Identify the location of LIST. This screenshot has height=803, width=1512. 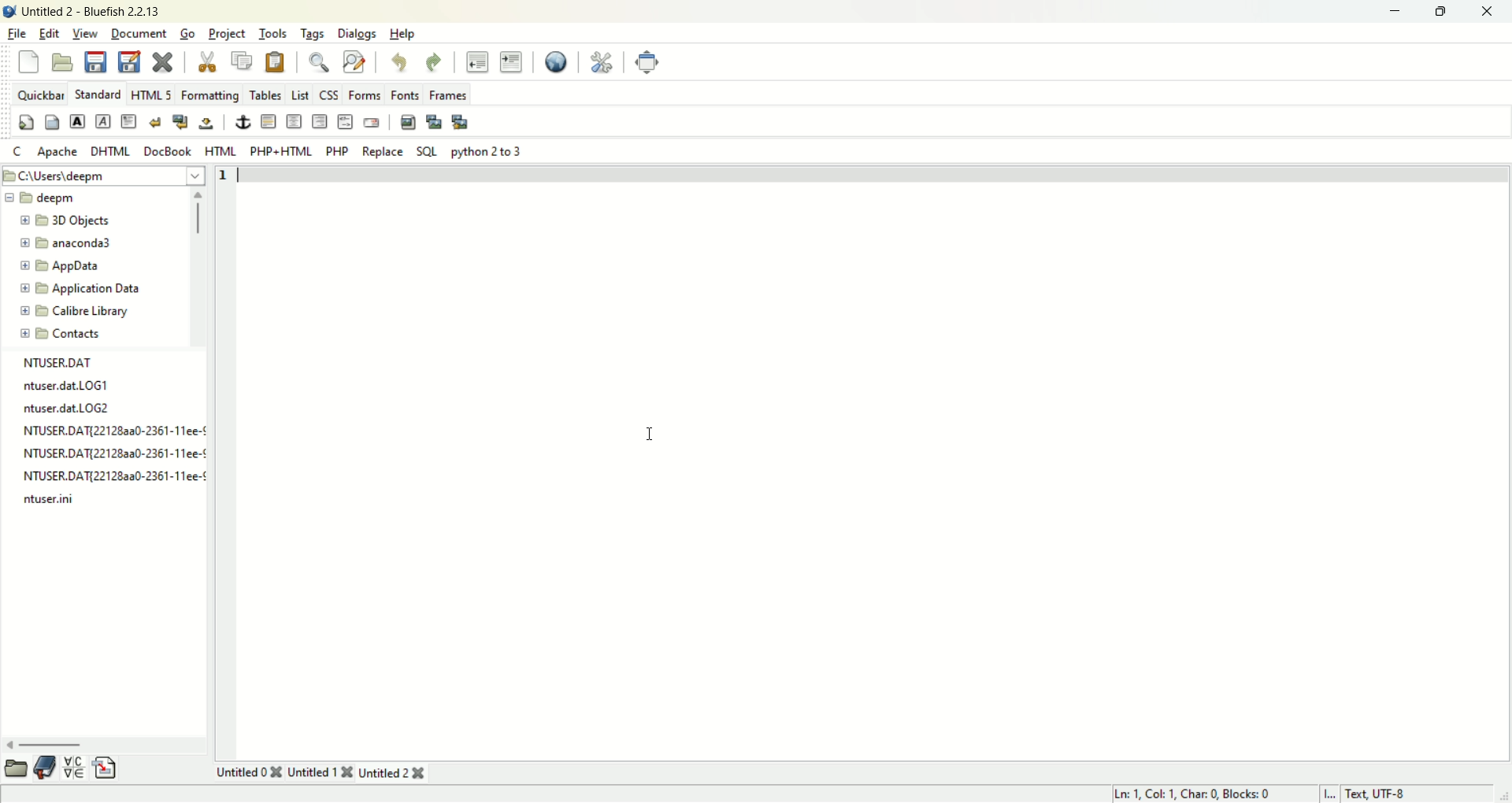
(298, 92).